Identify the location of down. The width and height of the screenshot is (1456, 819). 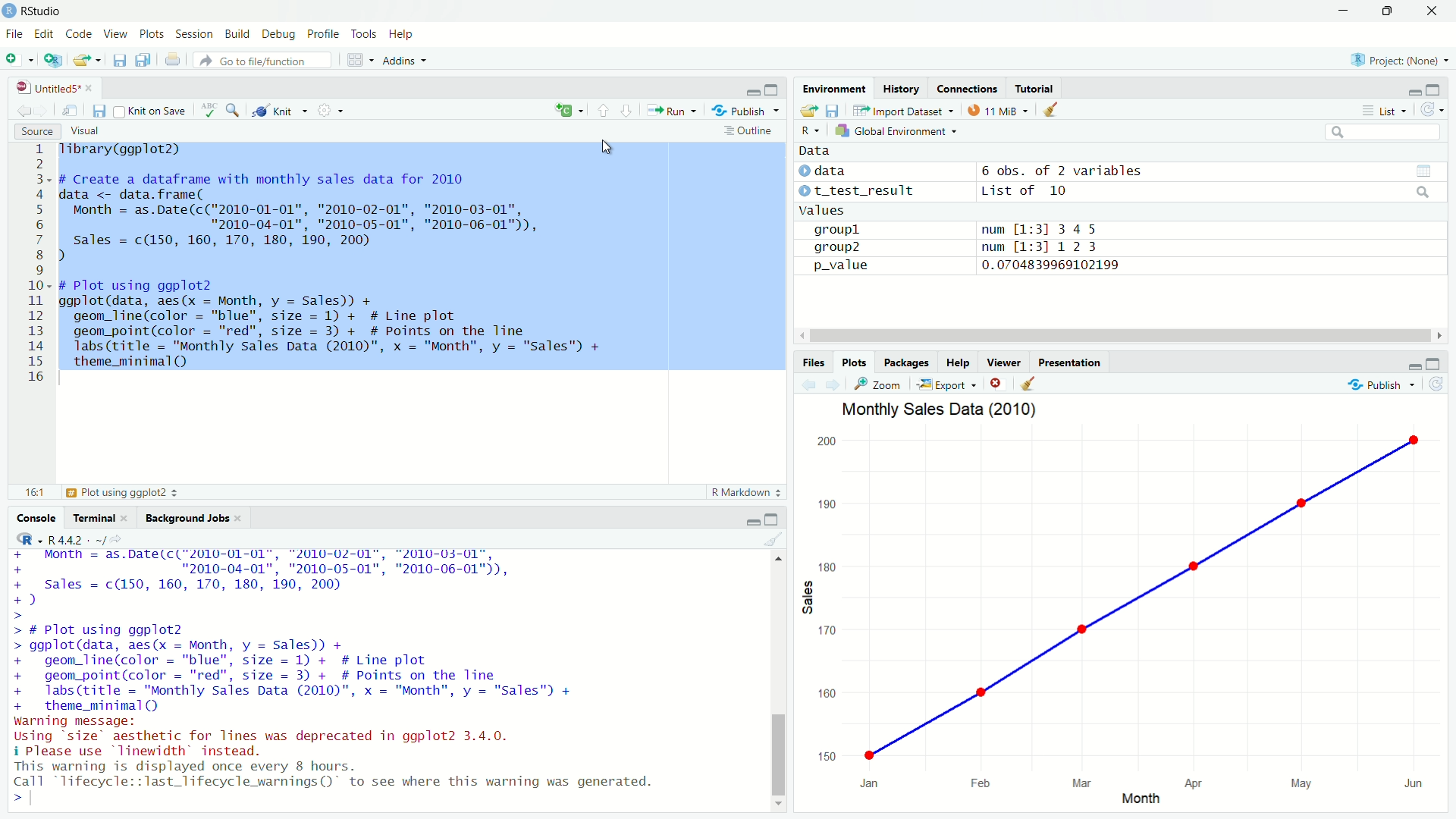
(1391, 12).